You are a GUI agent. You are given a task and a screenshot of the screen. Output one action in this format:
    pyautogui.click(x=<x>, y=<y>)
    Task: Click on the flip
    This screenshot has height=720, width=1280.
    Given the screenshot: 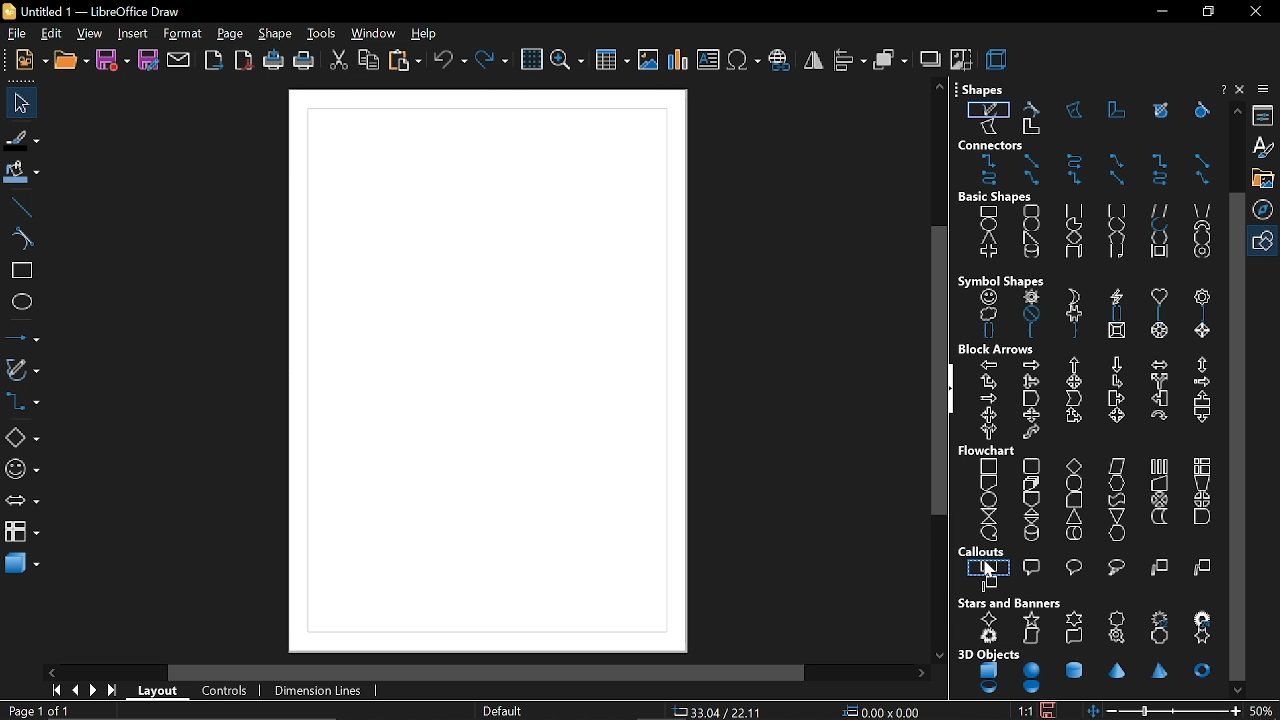 What is the action you would take?
    pyautogui.click(x=814, y=61)
    